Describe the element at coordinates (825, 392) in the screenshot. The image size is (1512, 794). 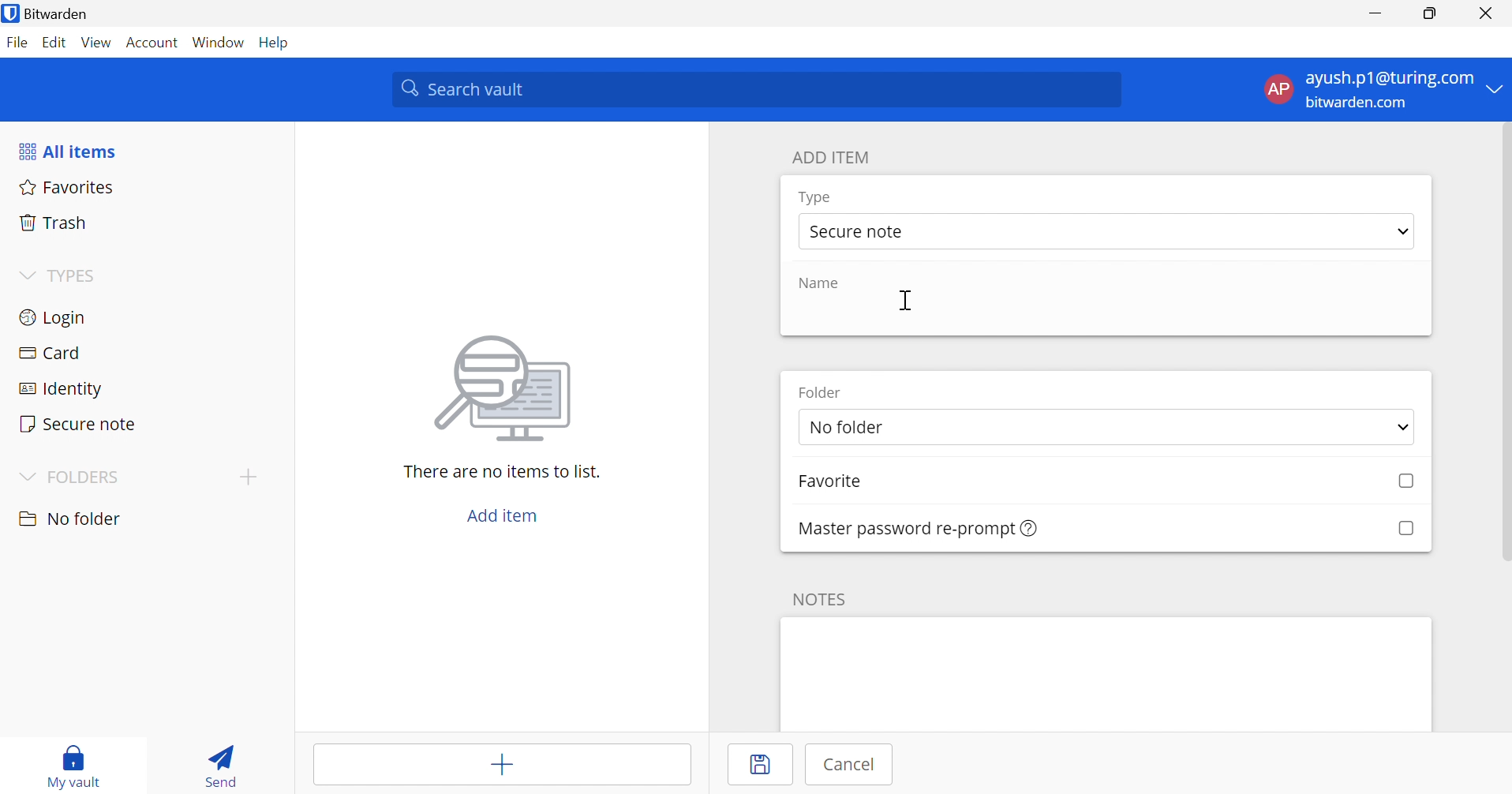
I see `Folder` at that location.